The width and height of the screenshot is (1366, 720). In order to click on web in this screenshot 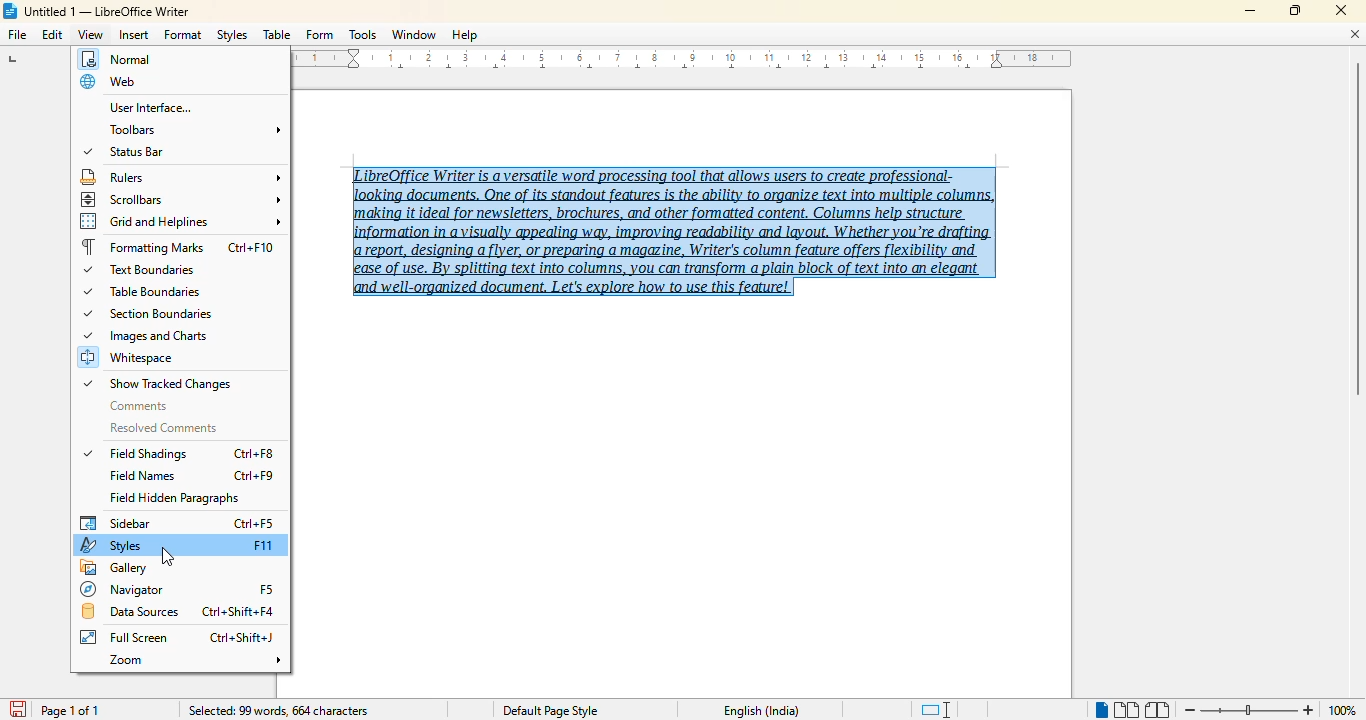, I will do `click(113, 82)`.